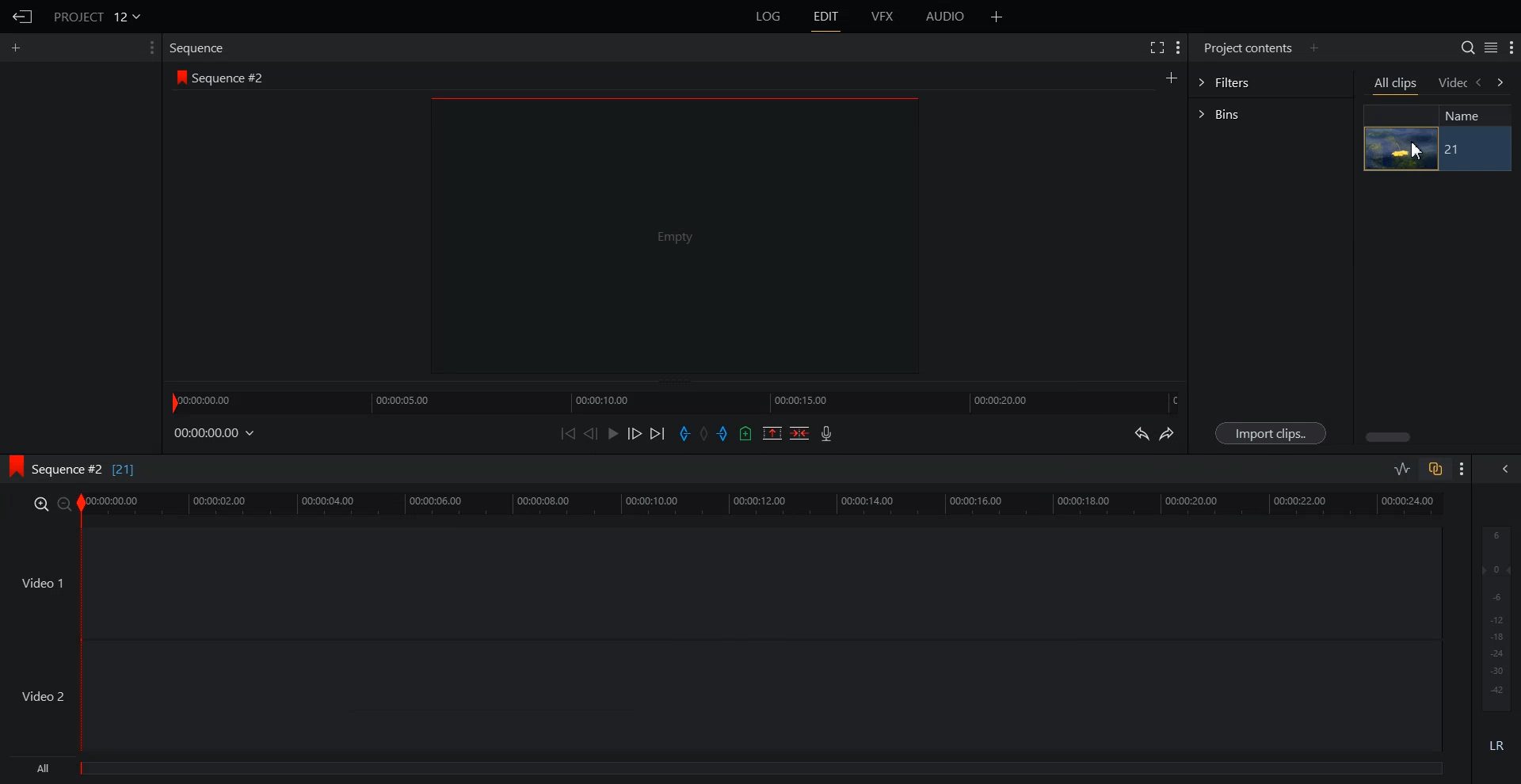  Describe the element at coordinates (883, 17) in the screenshot. I see `VFX` at that location.